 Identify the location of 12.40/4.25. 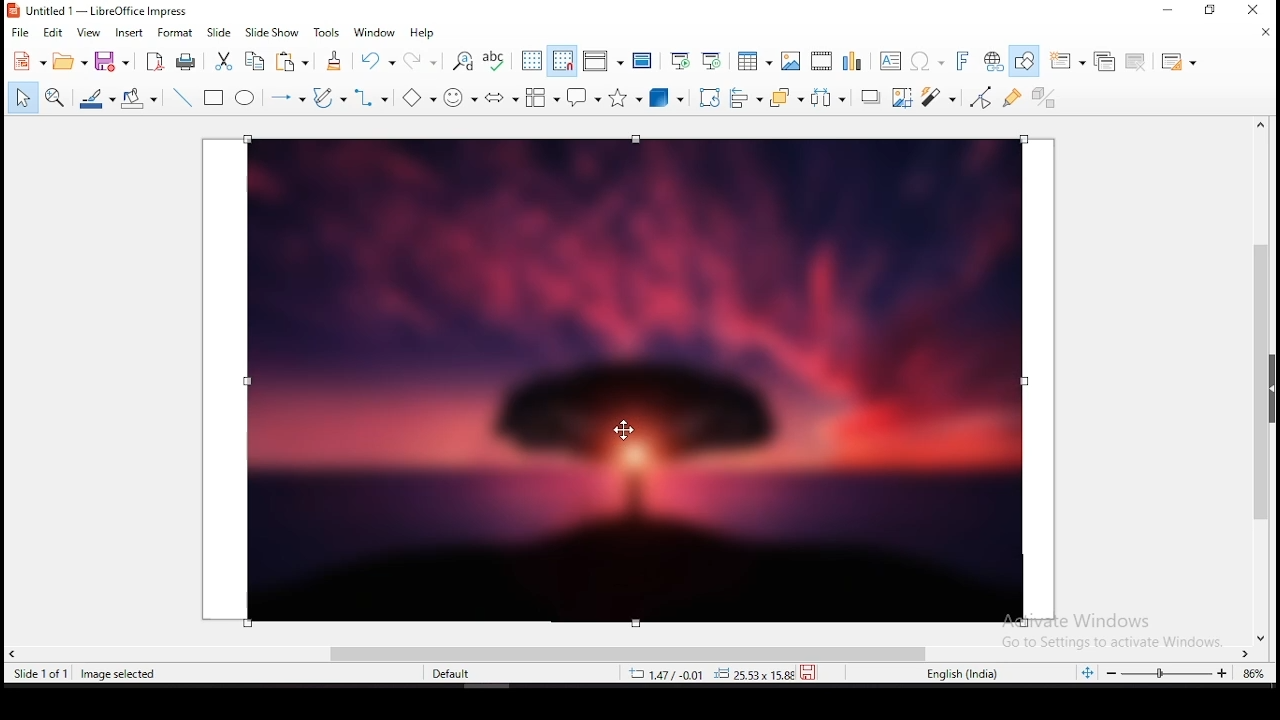
(669, 674).